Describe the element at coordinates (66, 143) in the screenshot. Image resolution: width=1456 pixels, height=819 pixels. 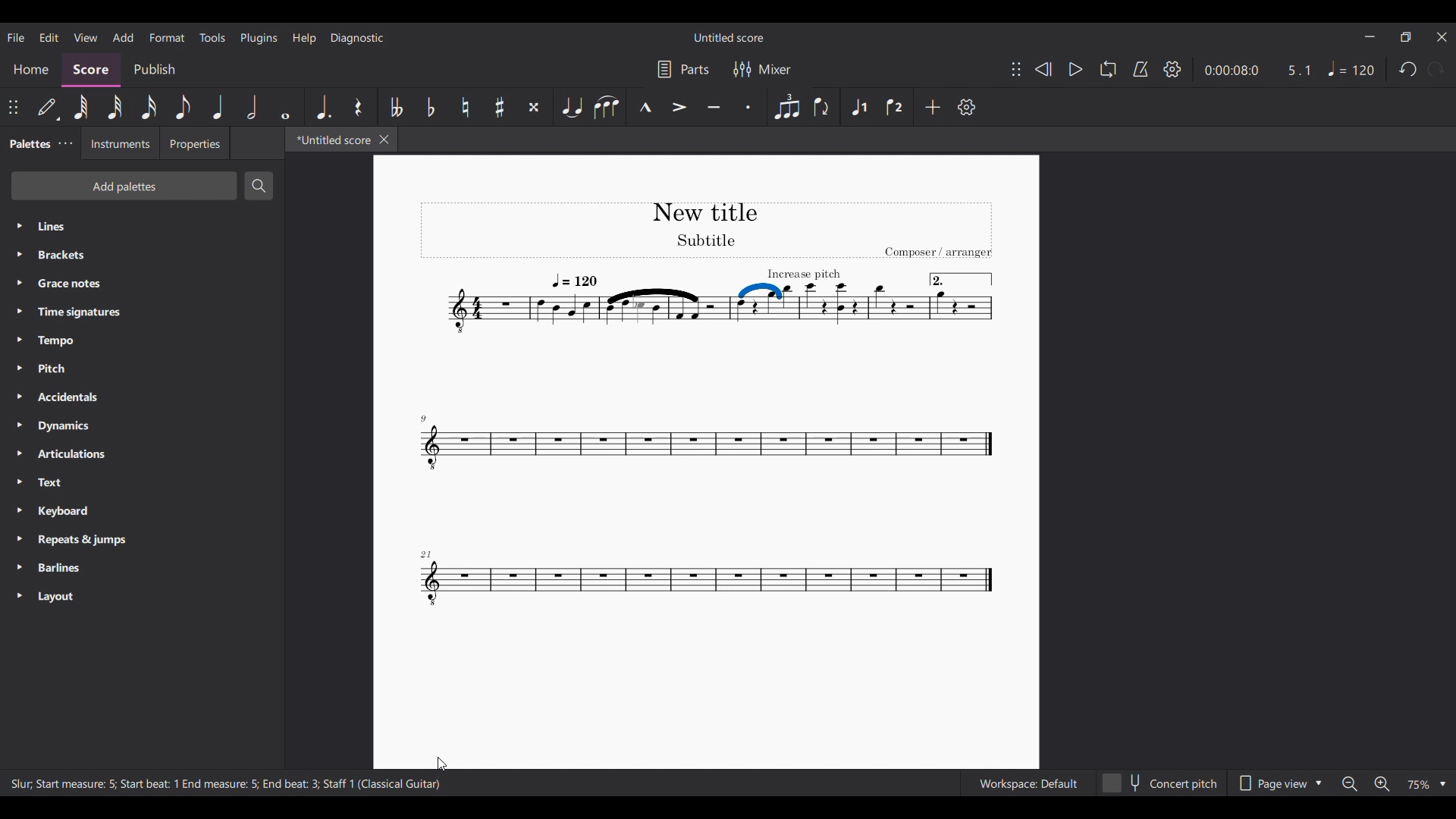
I see `Palette settings` at that location.